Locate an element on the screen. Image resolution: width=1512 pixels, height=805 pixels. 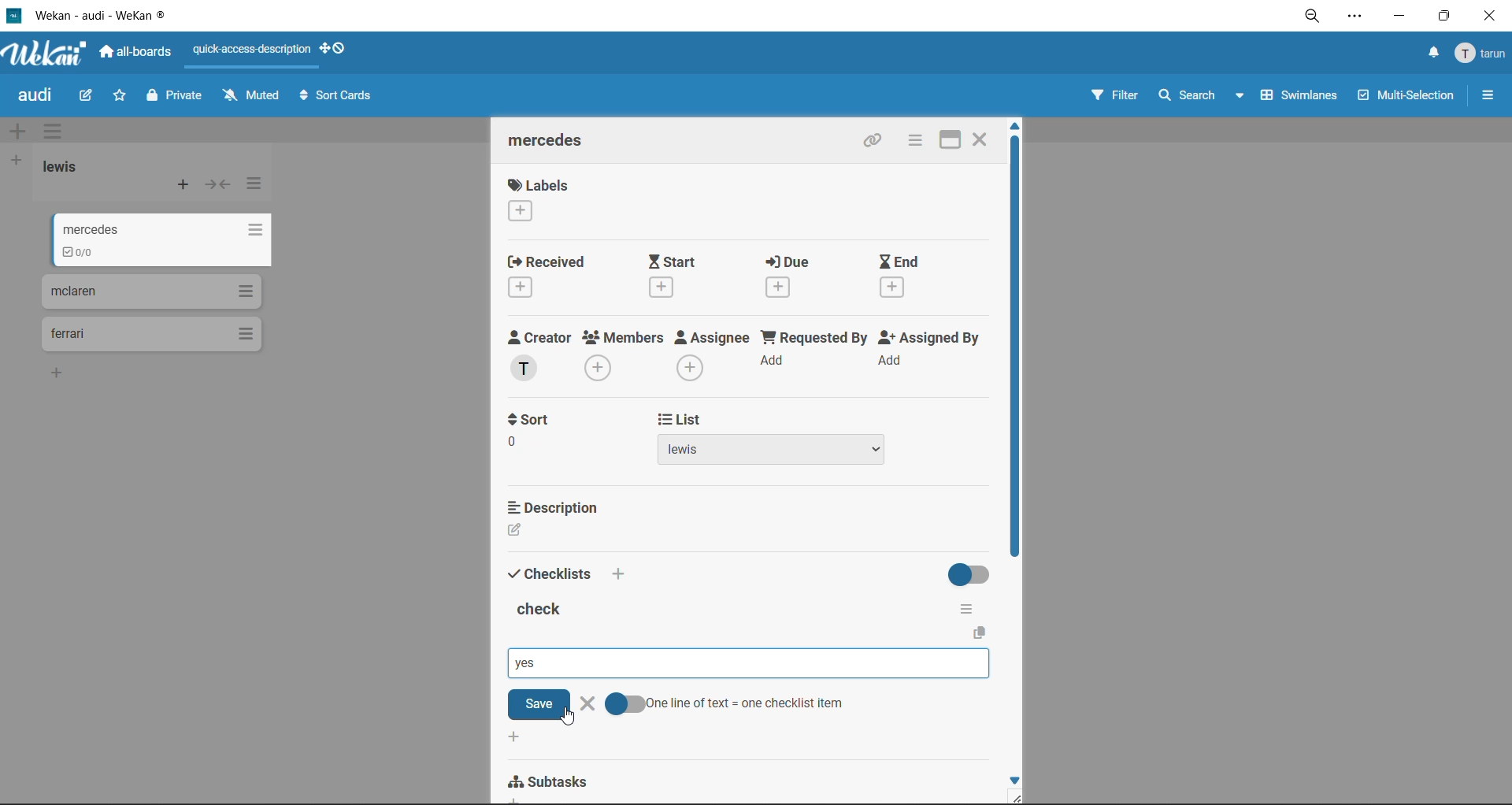
due is located at coordinates (799, 280).